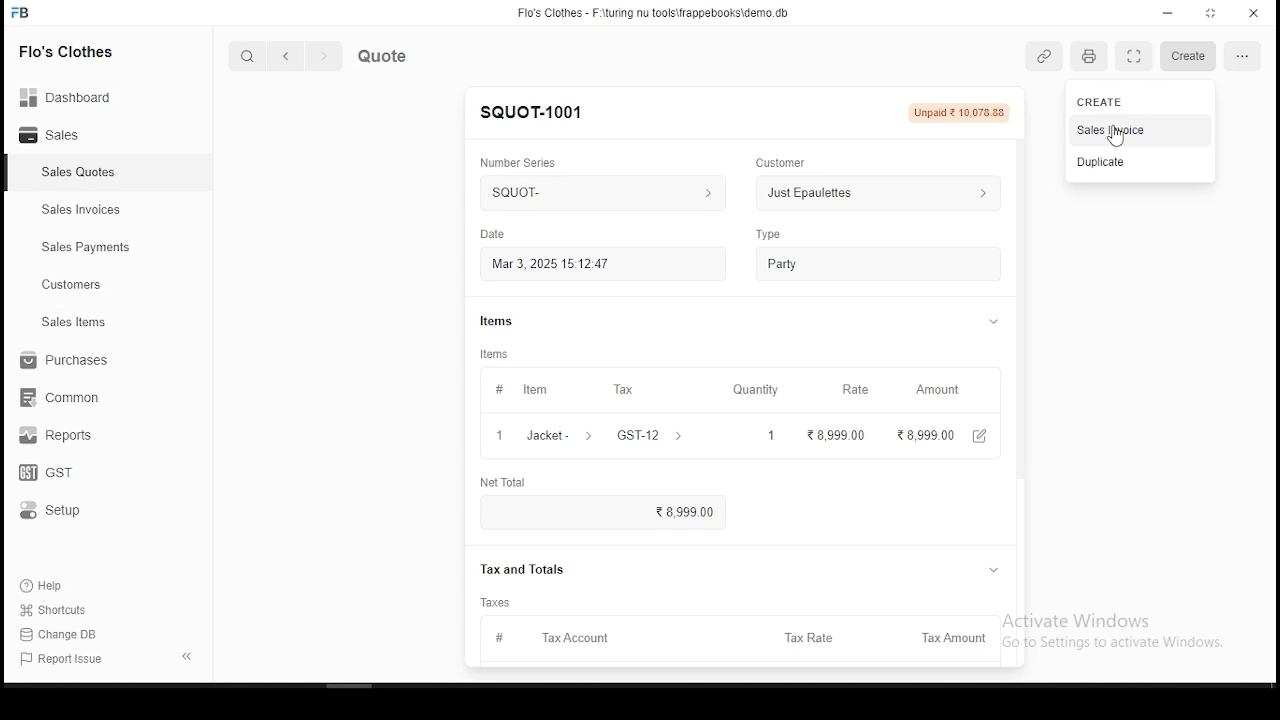 The height and width of the screenshot is (720, 1280). What do you see at coordinates (604, 262) in the screenshot?
I see `Mar 3, 2025 15:12:47` at bounding box center [604, 262].